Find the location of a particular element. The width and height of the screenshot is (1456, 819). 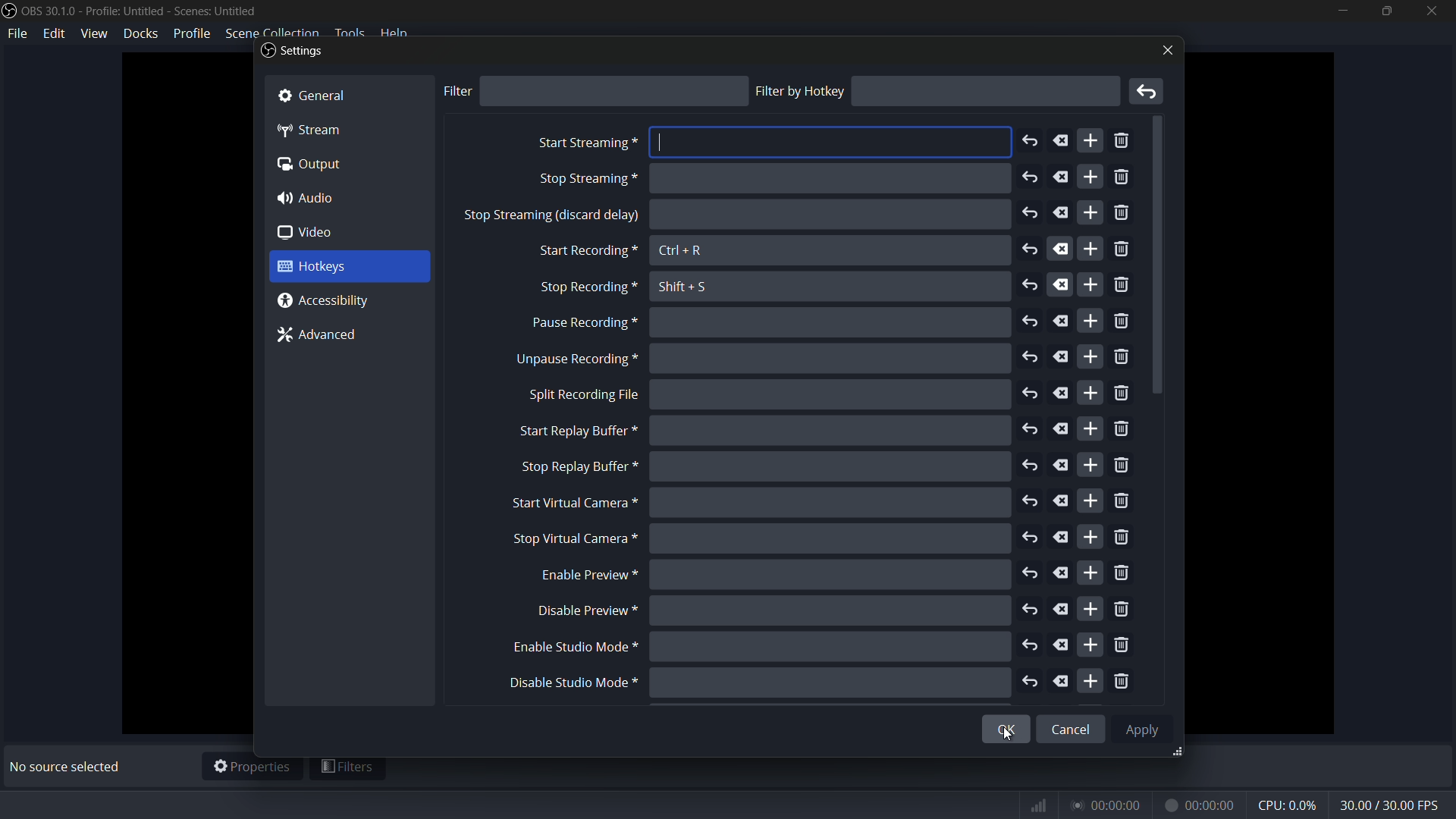

stop virtual camera is located at coordinates (571, 539).